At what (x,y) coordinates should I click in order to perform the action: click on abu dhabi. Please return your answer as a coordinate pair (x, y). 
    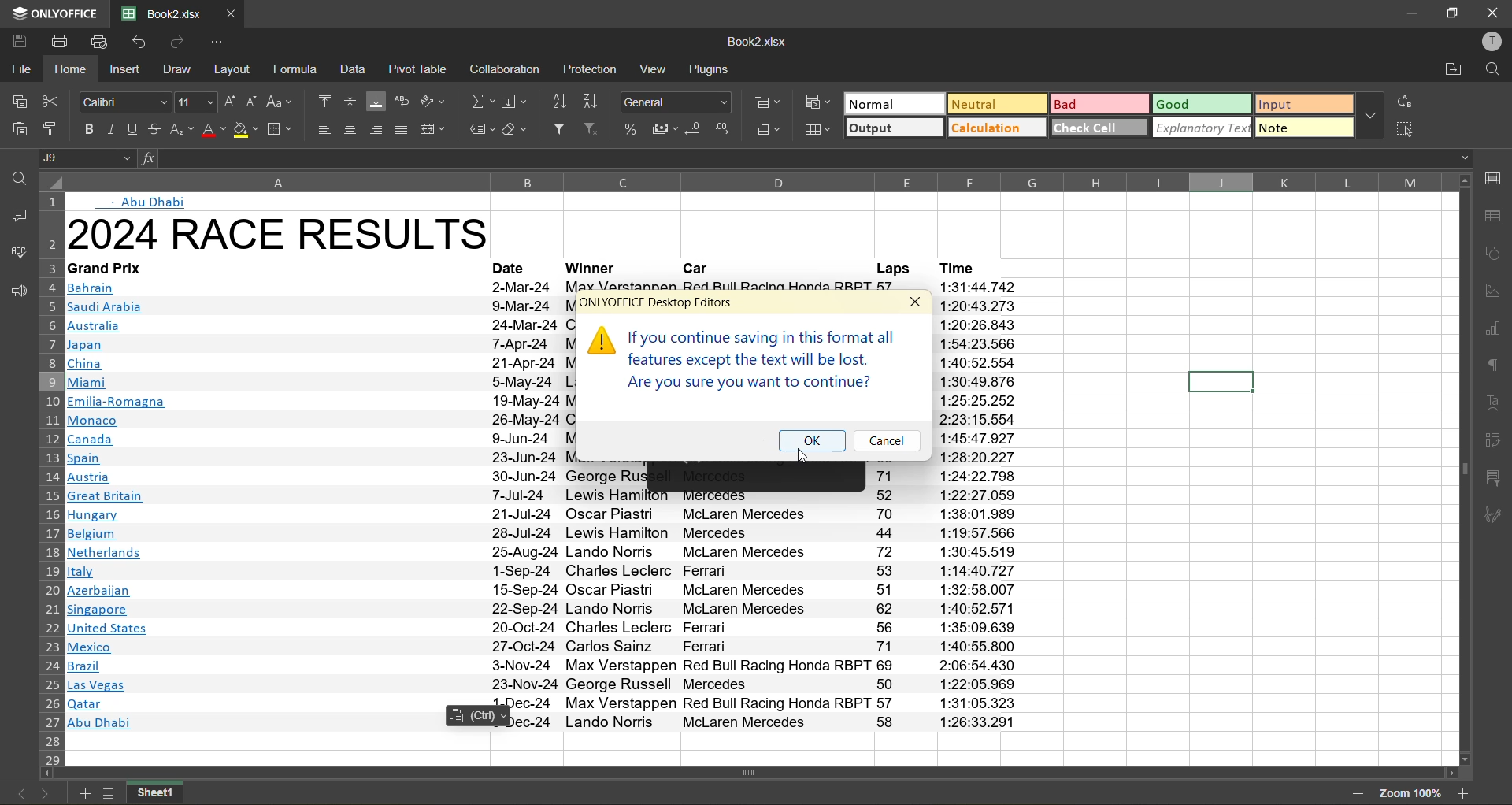
    Looking at the image, I should click on (154, 203).